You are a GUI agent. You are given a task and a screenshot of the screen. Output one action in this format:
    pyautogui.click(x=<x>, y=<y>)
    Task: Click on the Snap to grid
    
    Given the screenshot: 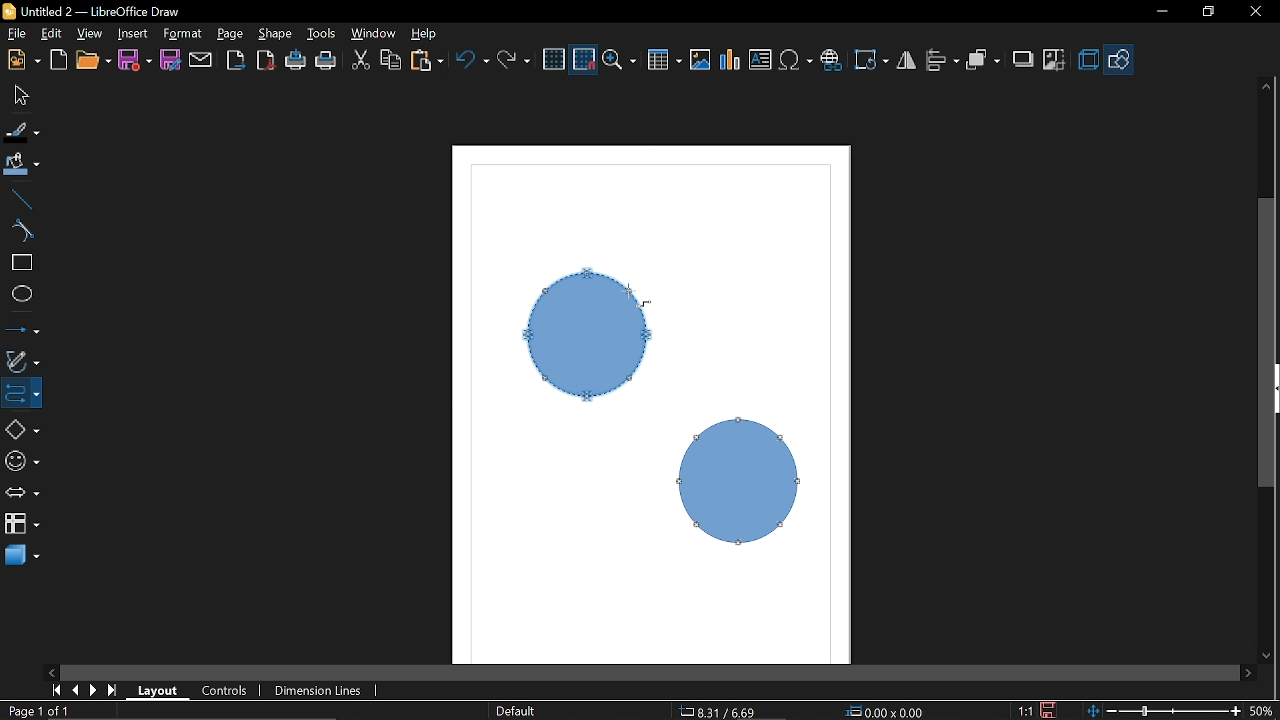 What is the action you would take?
    pyautogui.click(x=585, y=60)
    